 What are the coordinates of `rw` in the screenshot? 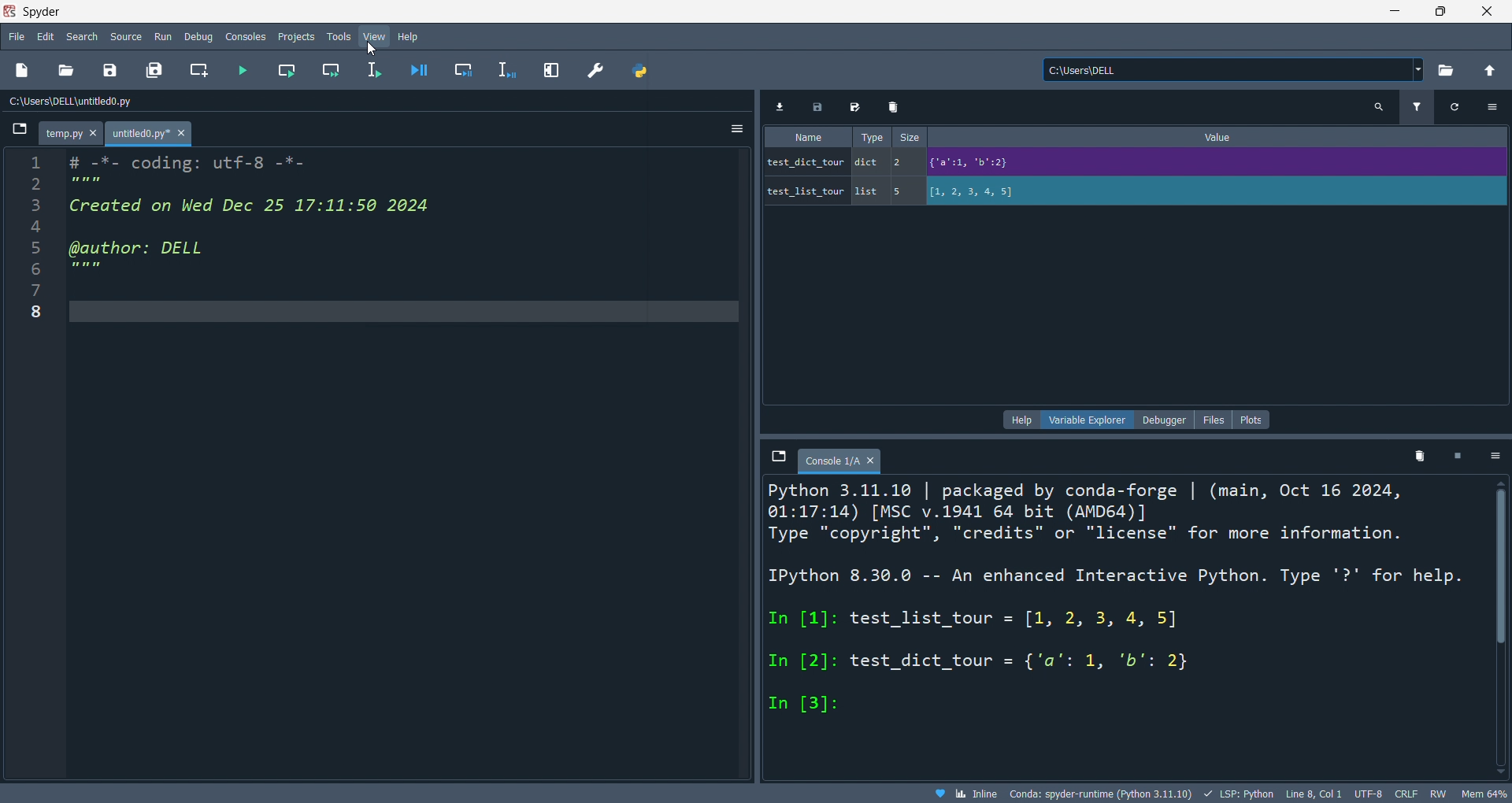 It's located at (1436, 795).